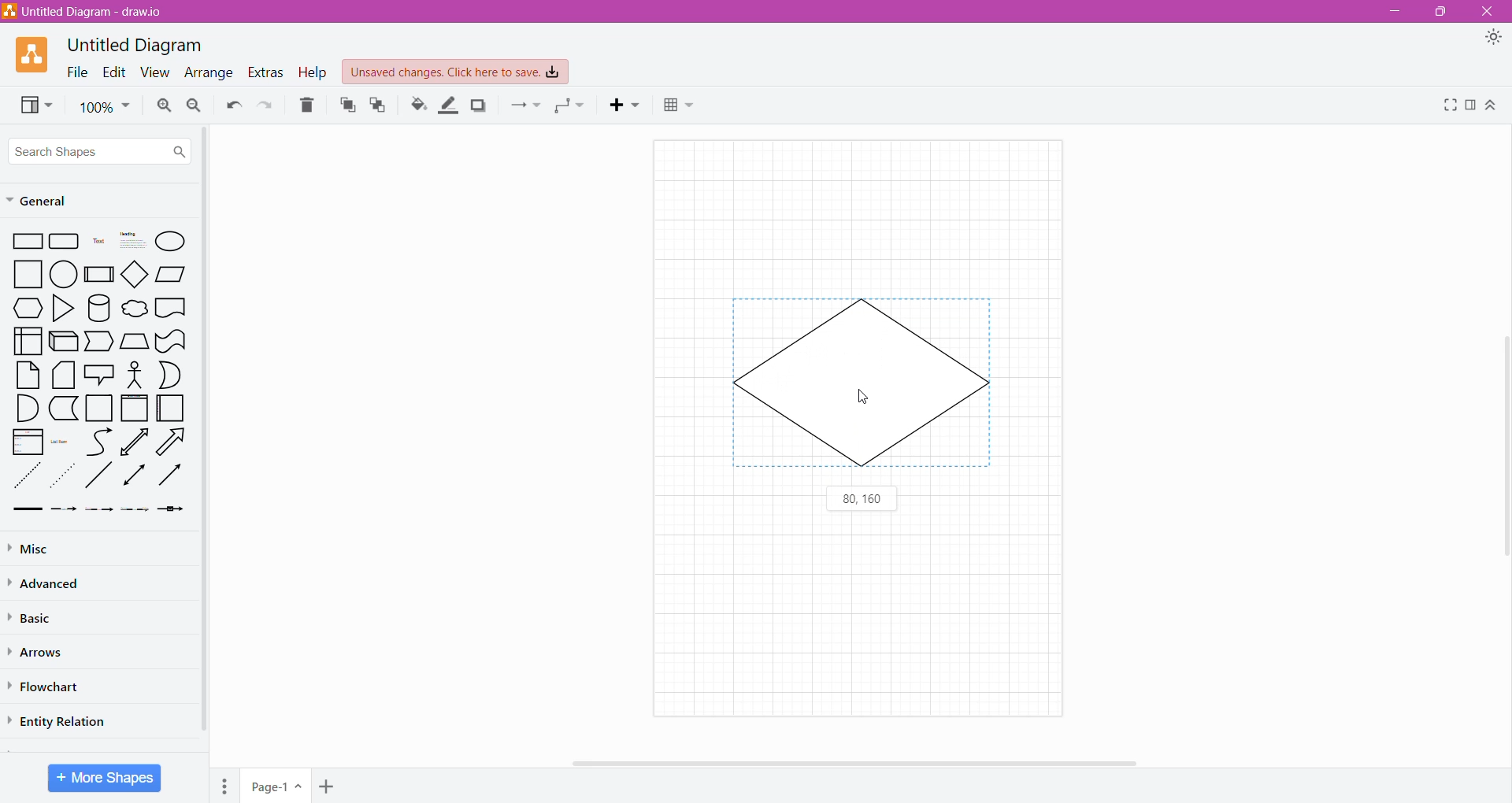 The height and width of the screenshot is (803, 1512). I want to click on List Item, so click(61, 442).